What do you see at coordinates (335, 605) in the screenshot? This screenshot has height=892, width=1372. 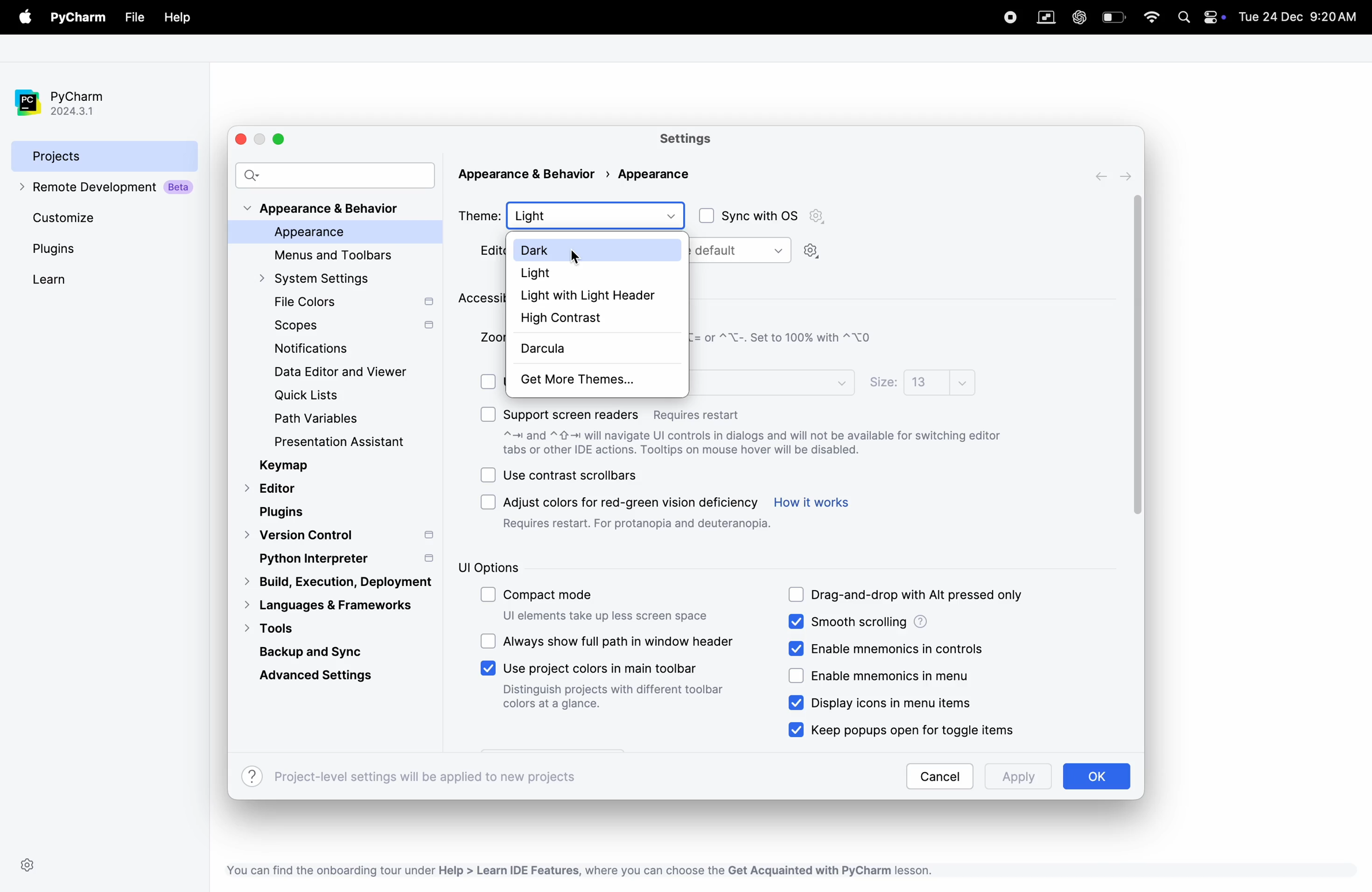 I see `language and frameworks` at bounding box center [335, 605].